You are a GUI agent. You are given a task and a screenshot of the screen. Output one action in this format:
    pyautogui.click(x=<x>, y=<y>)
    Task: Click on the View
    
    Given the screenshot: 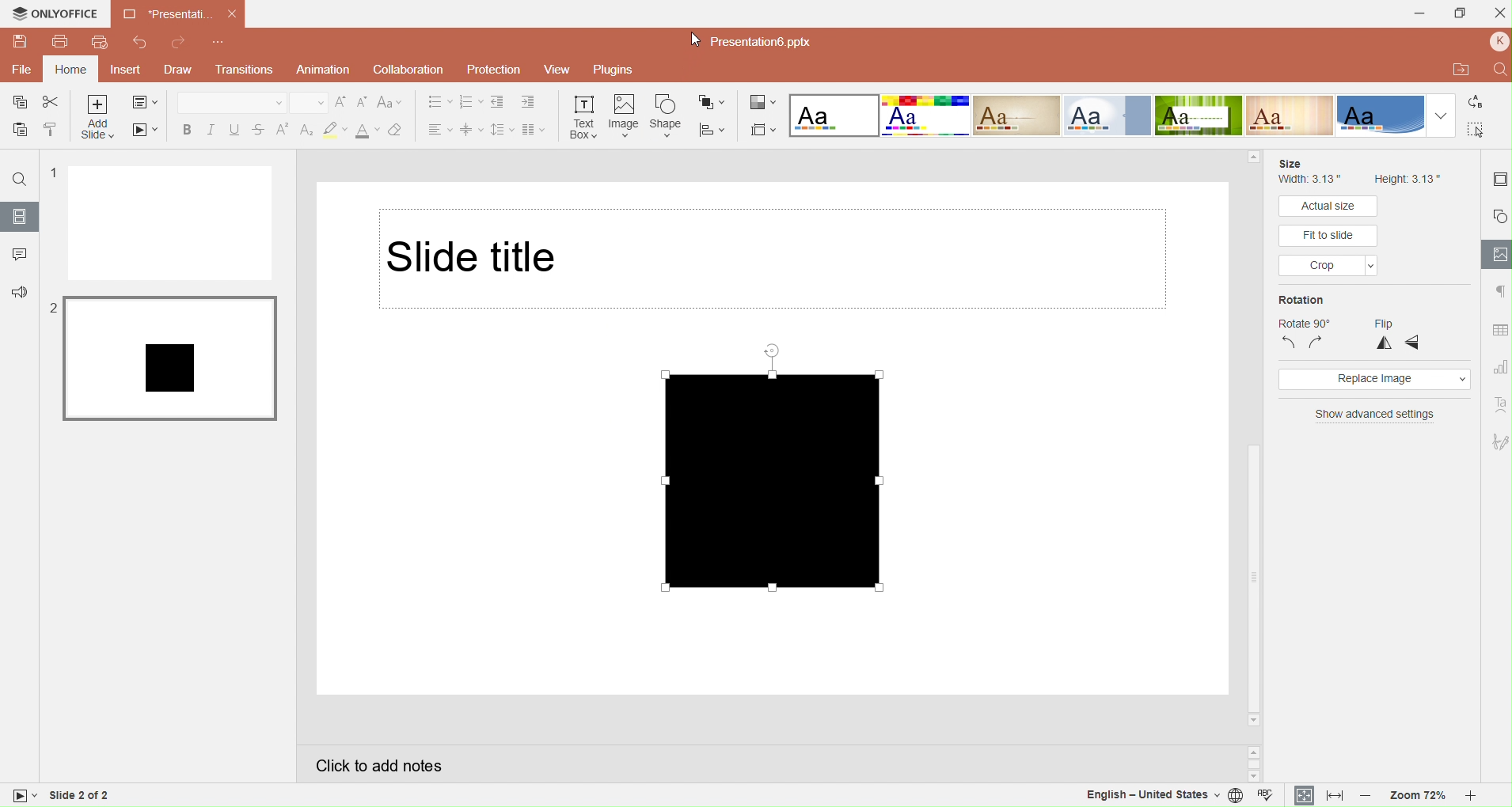 What is the action you would take?
    pyautogui.click(x=557, y=70)
    